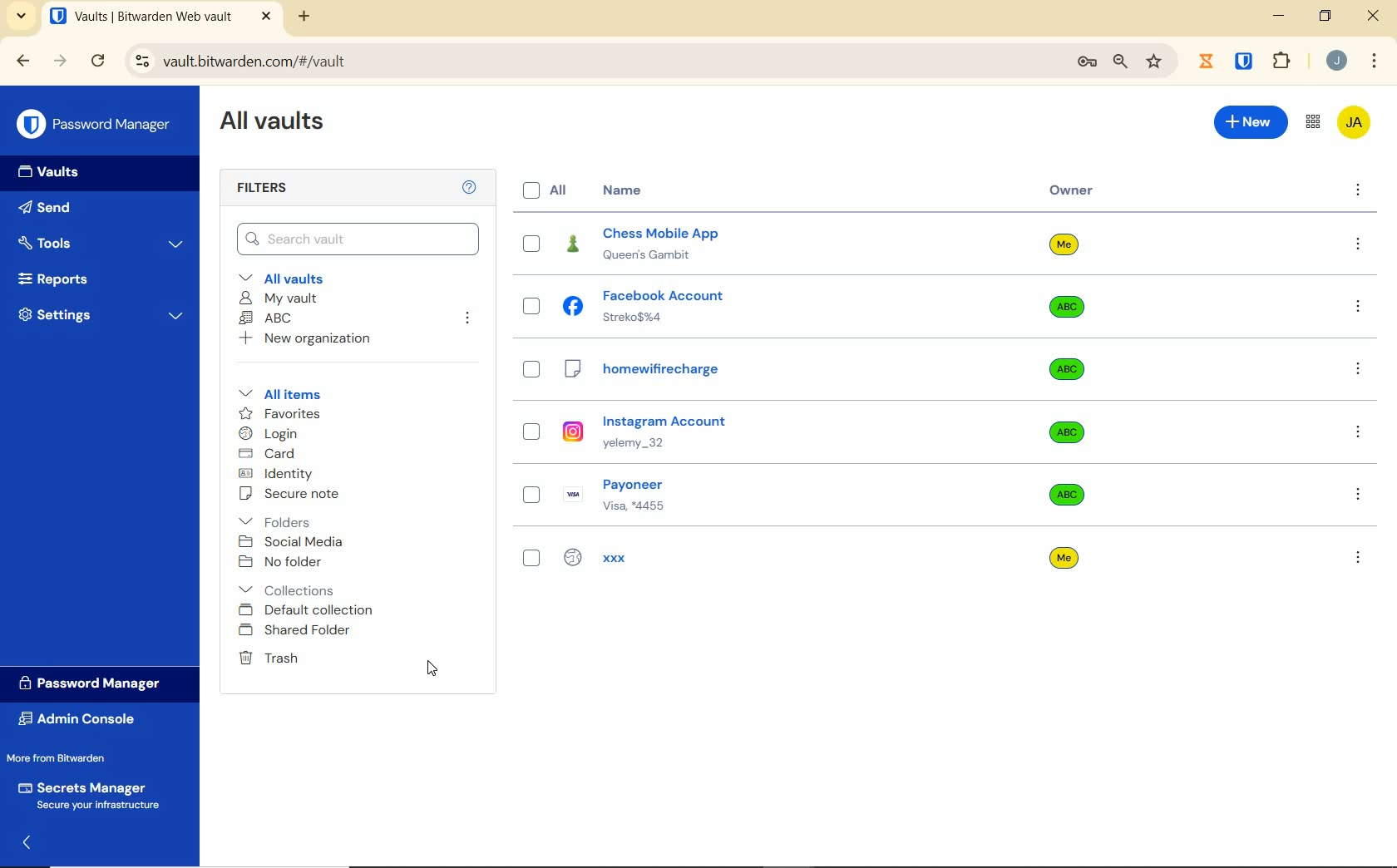 The image size is (1397, 868). Describe the element at coordinates (530, 495) in the screenshot. I see `select entry` at that location.